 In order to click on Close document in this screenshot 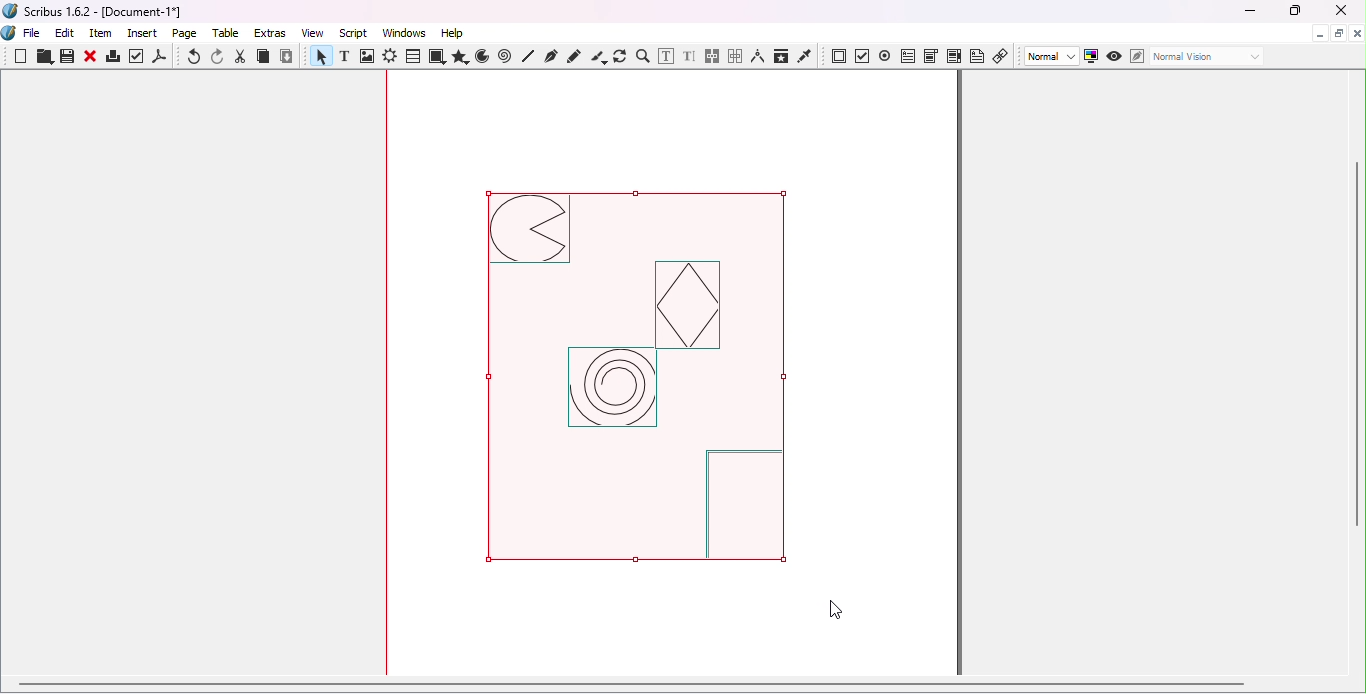, I will do `click(1357, 34)`.